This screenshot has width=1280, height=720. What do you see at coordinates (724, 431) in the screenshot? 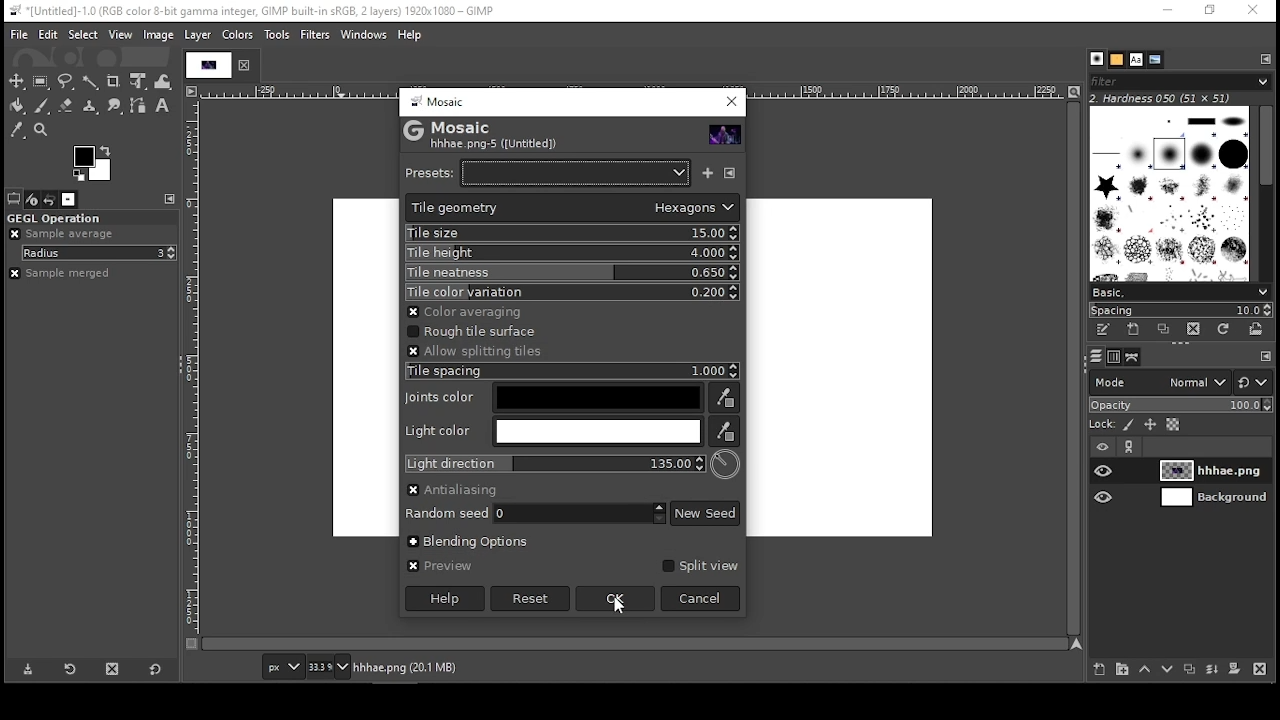
I see `joints color` at bounding box center [724, 431].